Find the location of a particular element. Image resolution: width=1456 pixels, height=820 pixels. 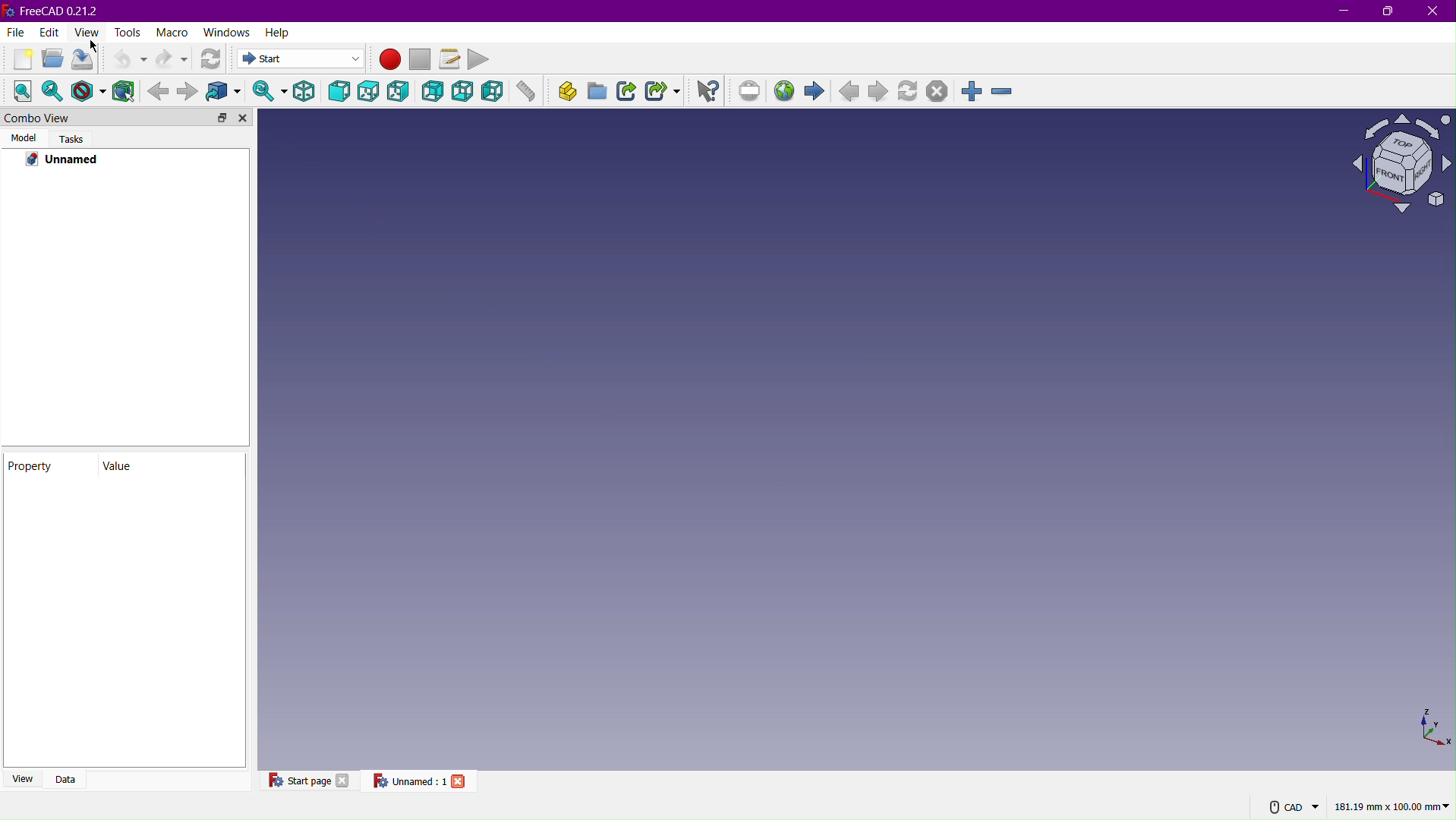

Make Link is located at coordinates (625, 96).